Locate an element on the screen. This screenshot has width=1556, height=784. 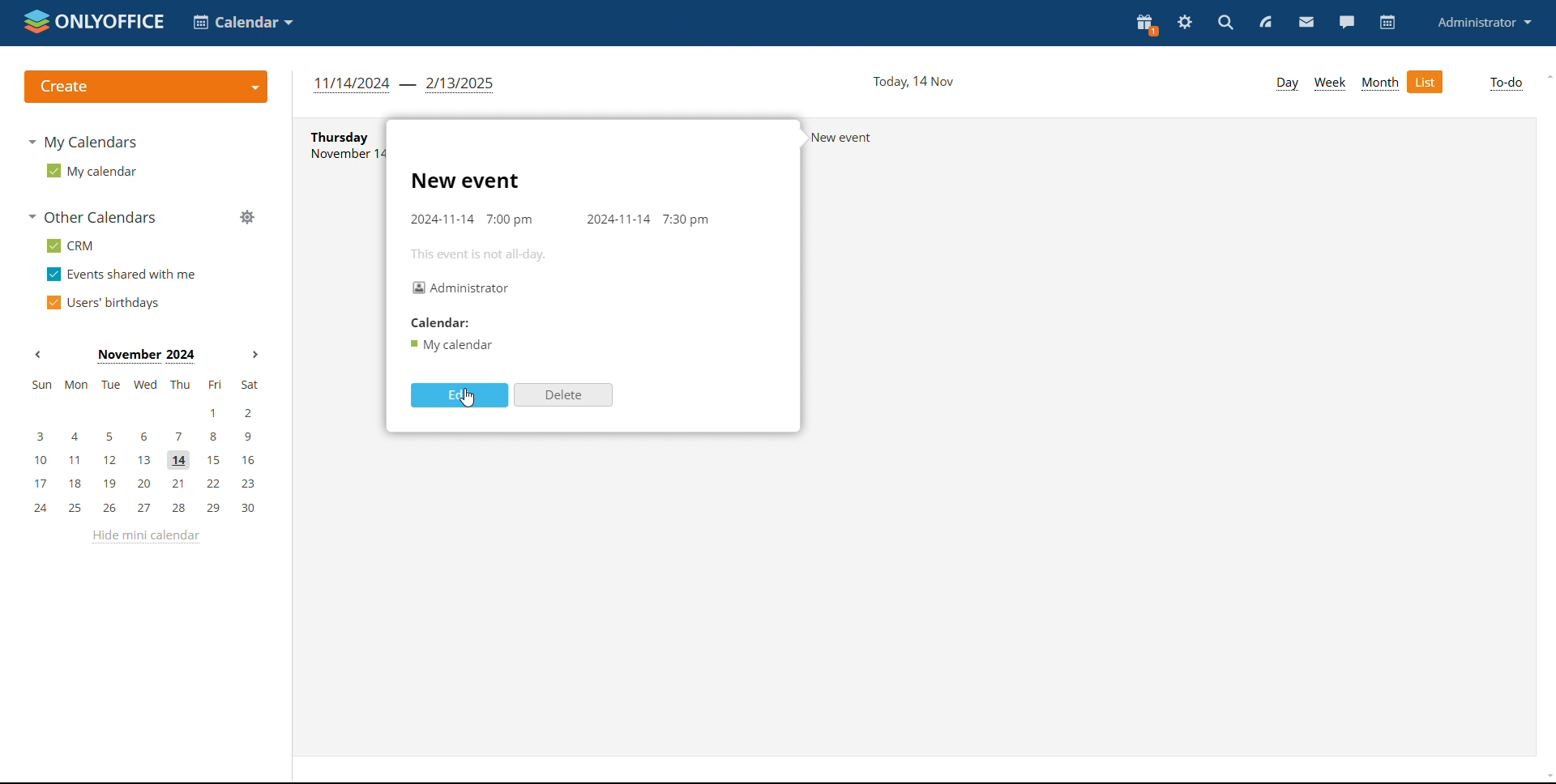
select application is located at coordinates (245, 21).